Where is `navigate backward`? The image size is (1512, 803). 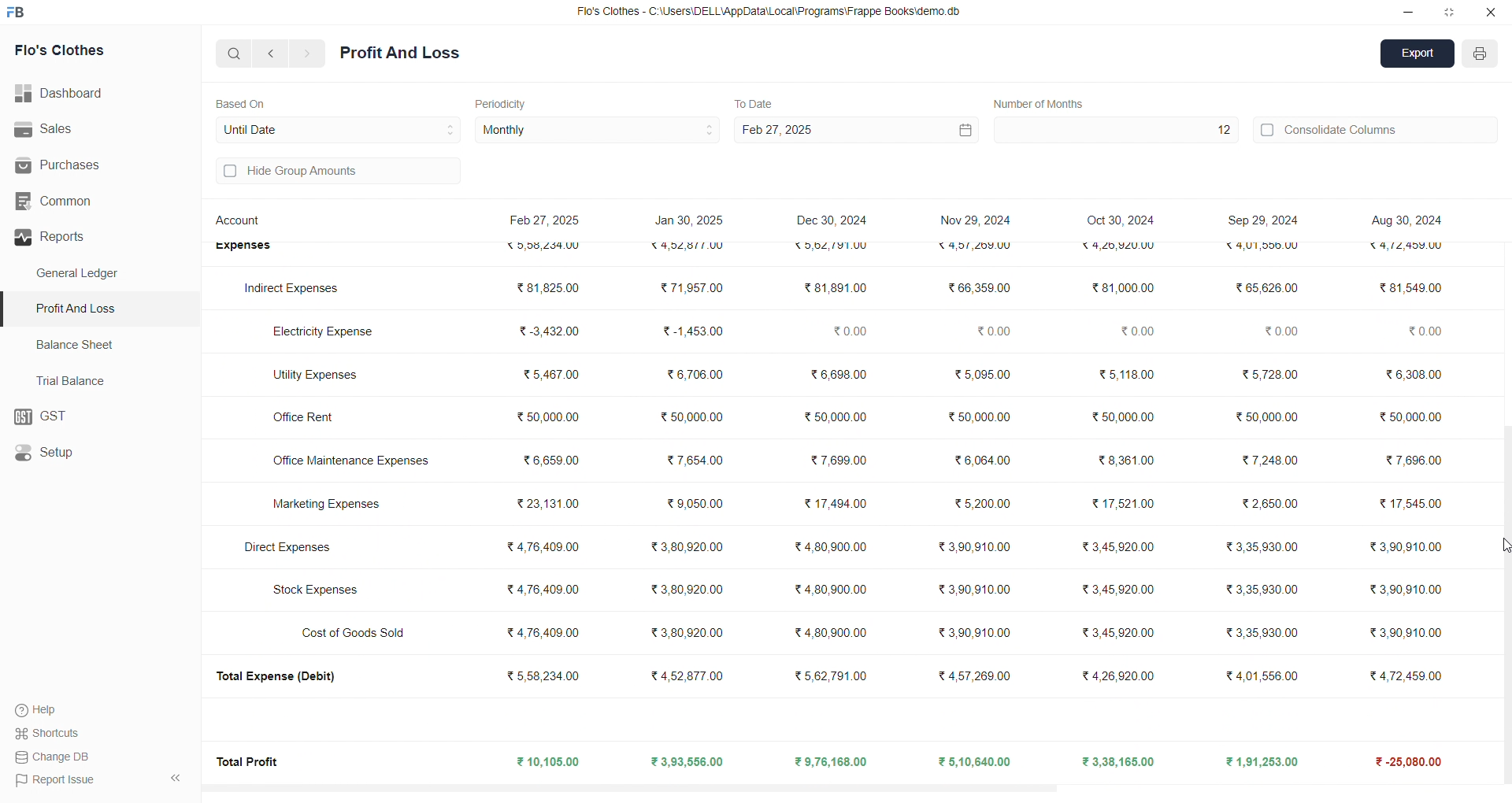
navigate backward is located at coordinates (273, 53).